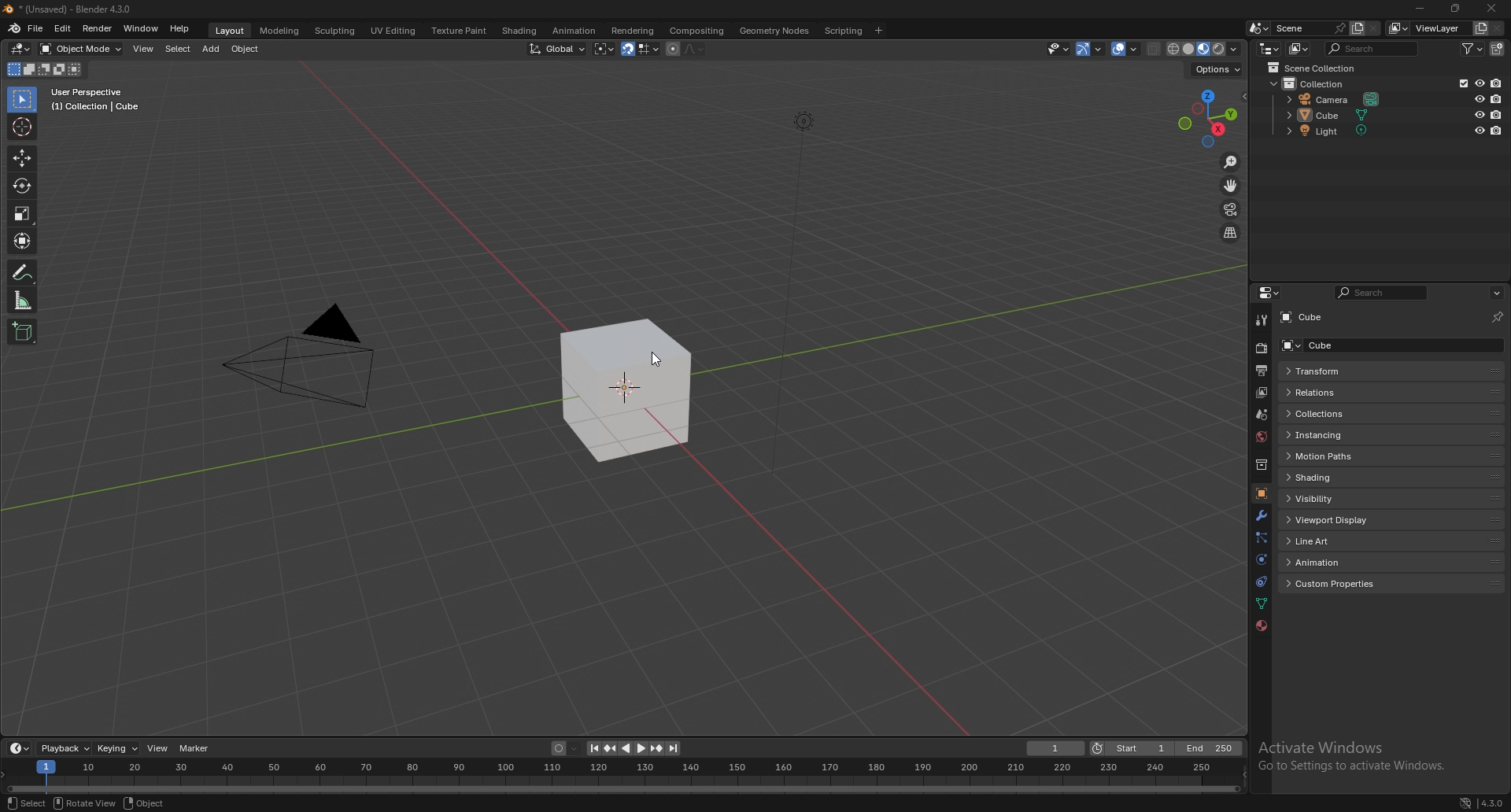 This screenshot has height=812, width=1511. What do you see at coordinates (674, 748) in the screenshot?
I see `jump to endpoint` at bounding box center [674, 748].